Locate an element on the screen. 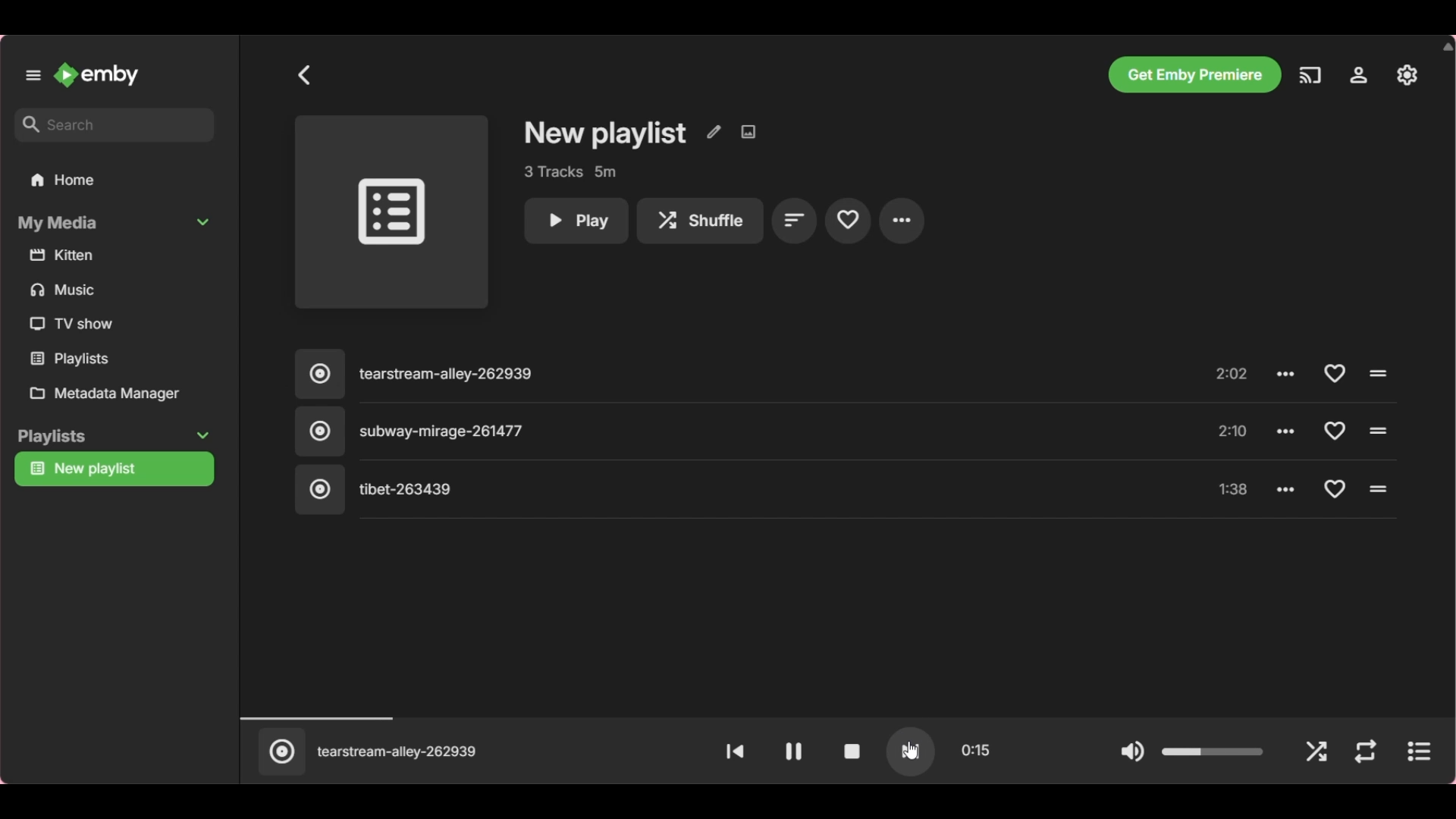 The image size is (1456, 819). tearstream mirage 262939 is located at coordinates (400, 752).